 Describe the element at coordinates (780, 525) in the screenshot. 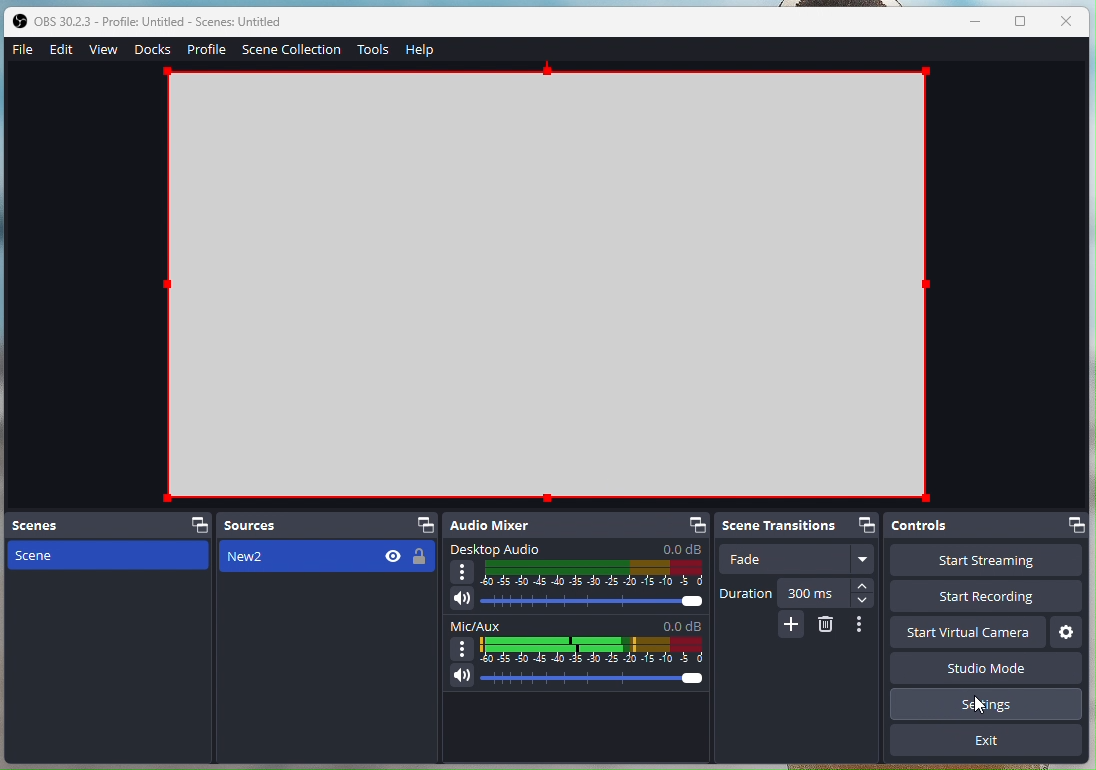

I see `Scene Transitions` at that location.